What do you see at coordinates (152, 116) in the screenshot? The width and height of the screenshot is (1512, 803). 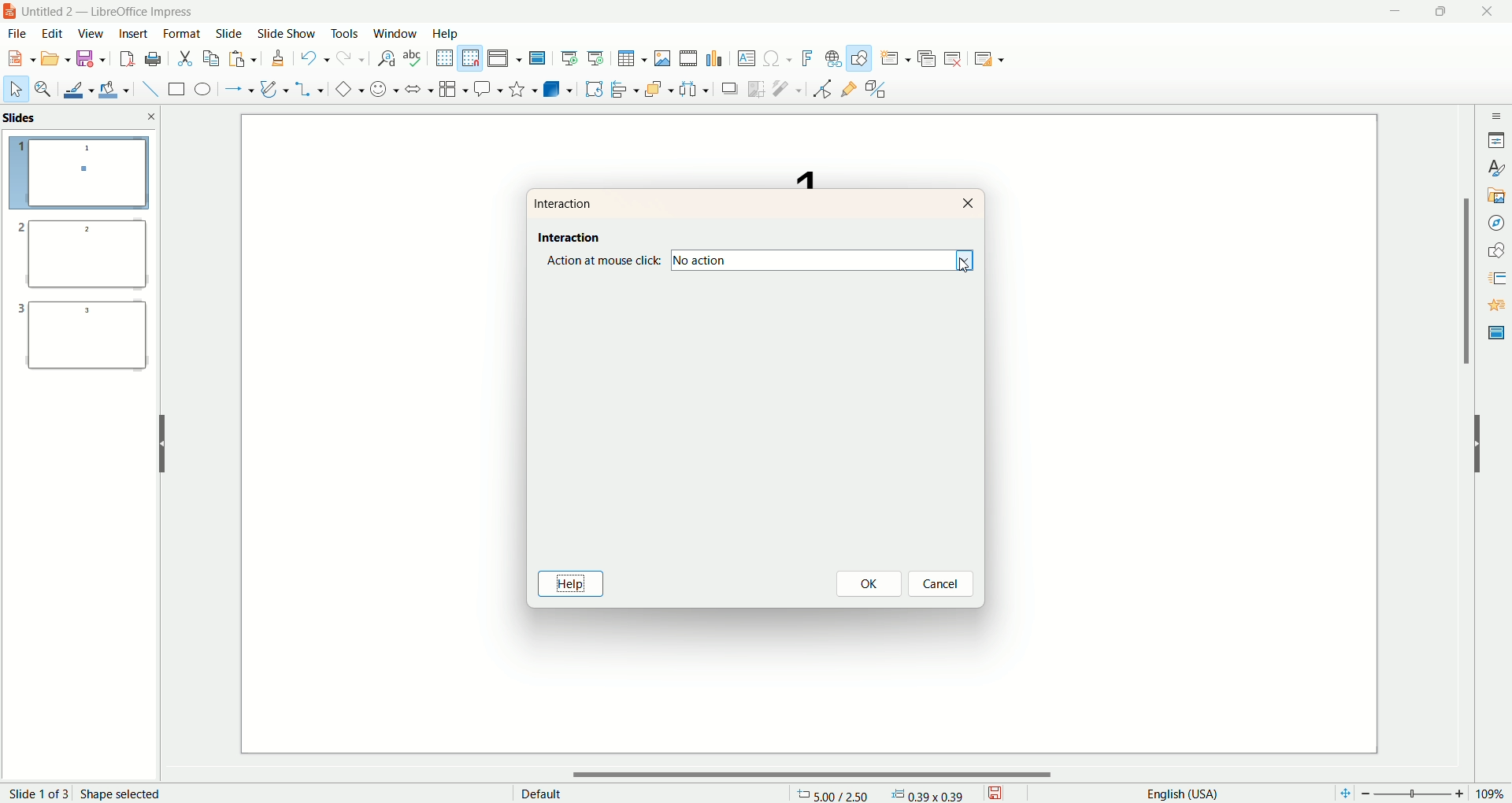 I see `close` at bounding box center [152, 116].